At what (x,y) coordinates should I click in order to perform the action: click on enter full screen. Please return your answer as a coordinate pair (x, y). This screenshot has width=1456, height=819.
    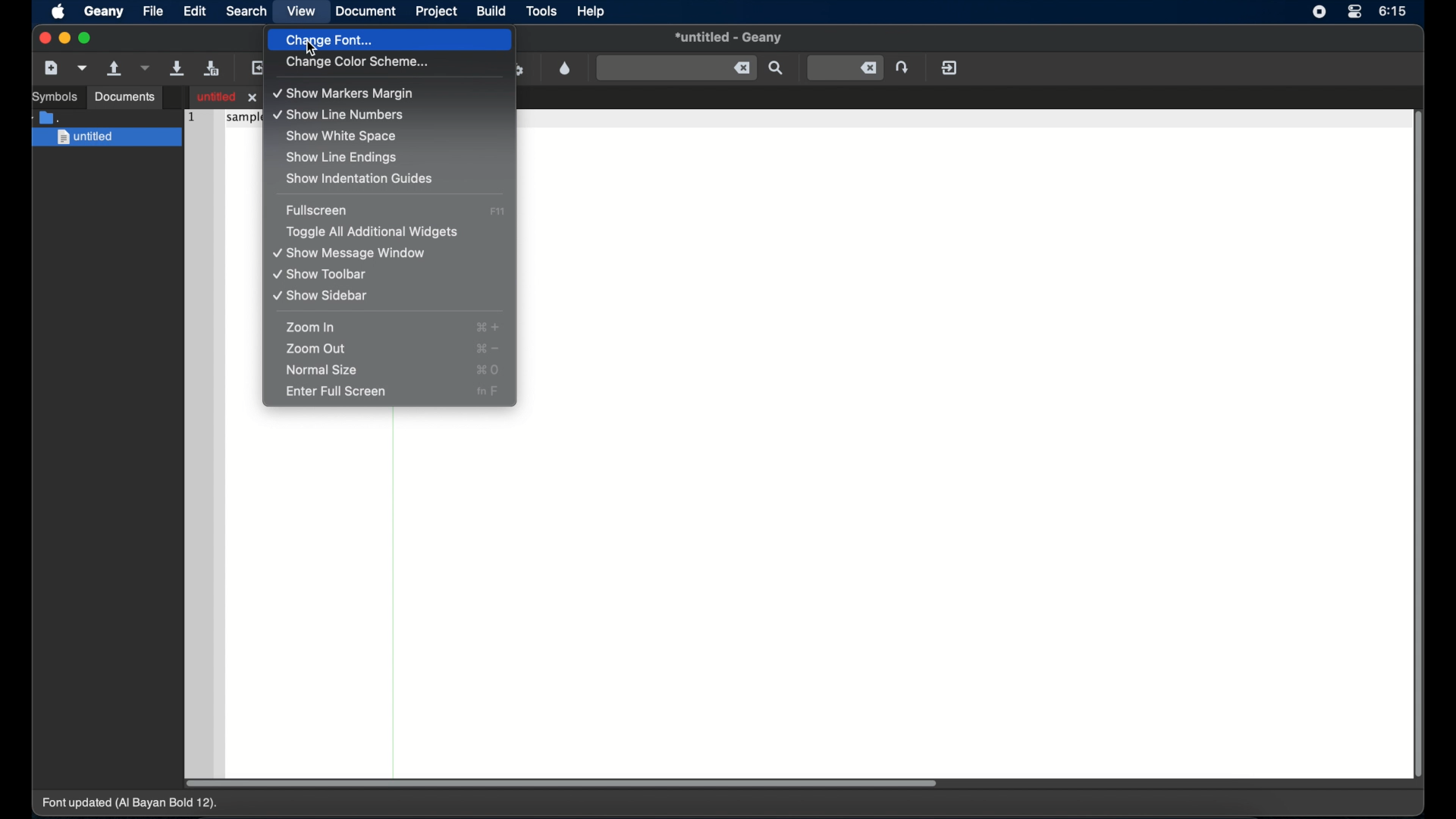
    Looking at the image, I should click on (336, 391).